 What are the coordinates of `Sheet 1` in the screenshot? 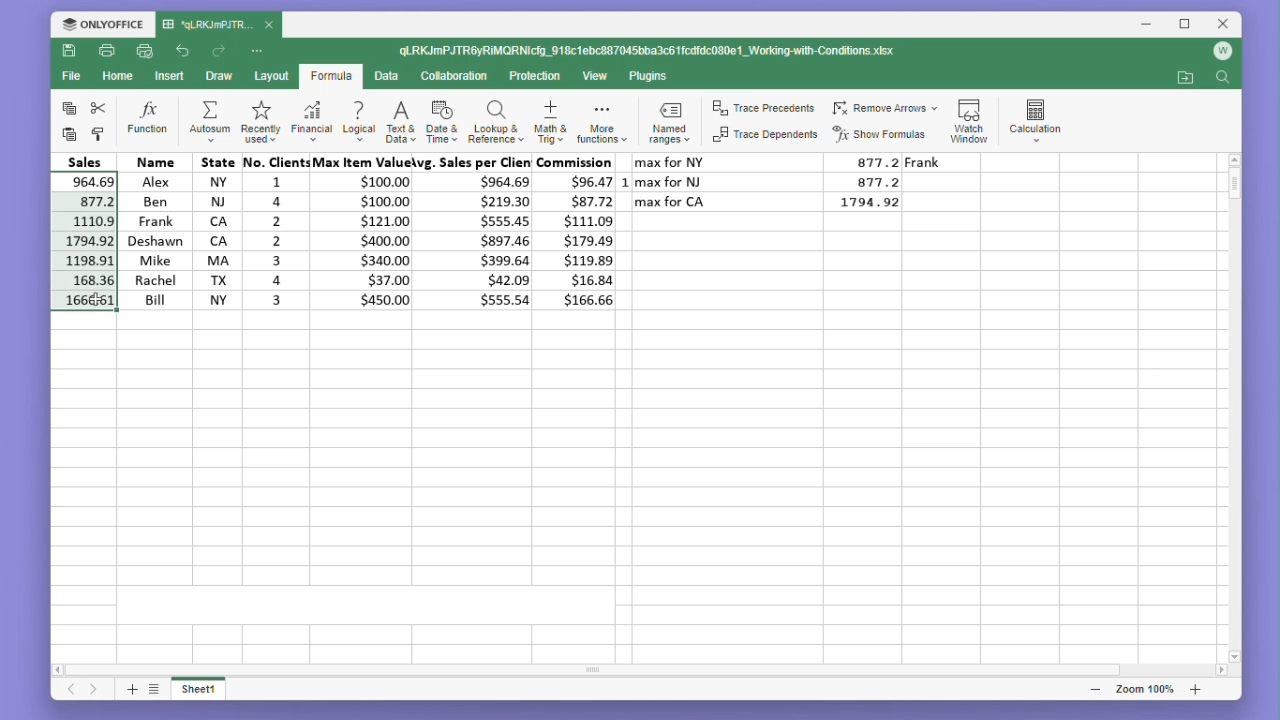 It's located at (209, 692).